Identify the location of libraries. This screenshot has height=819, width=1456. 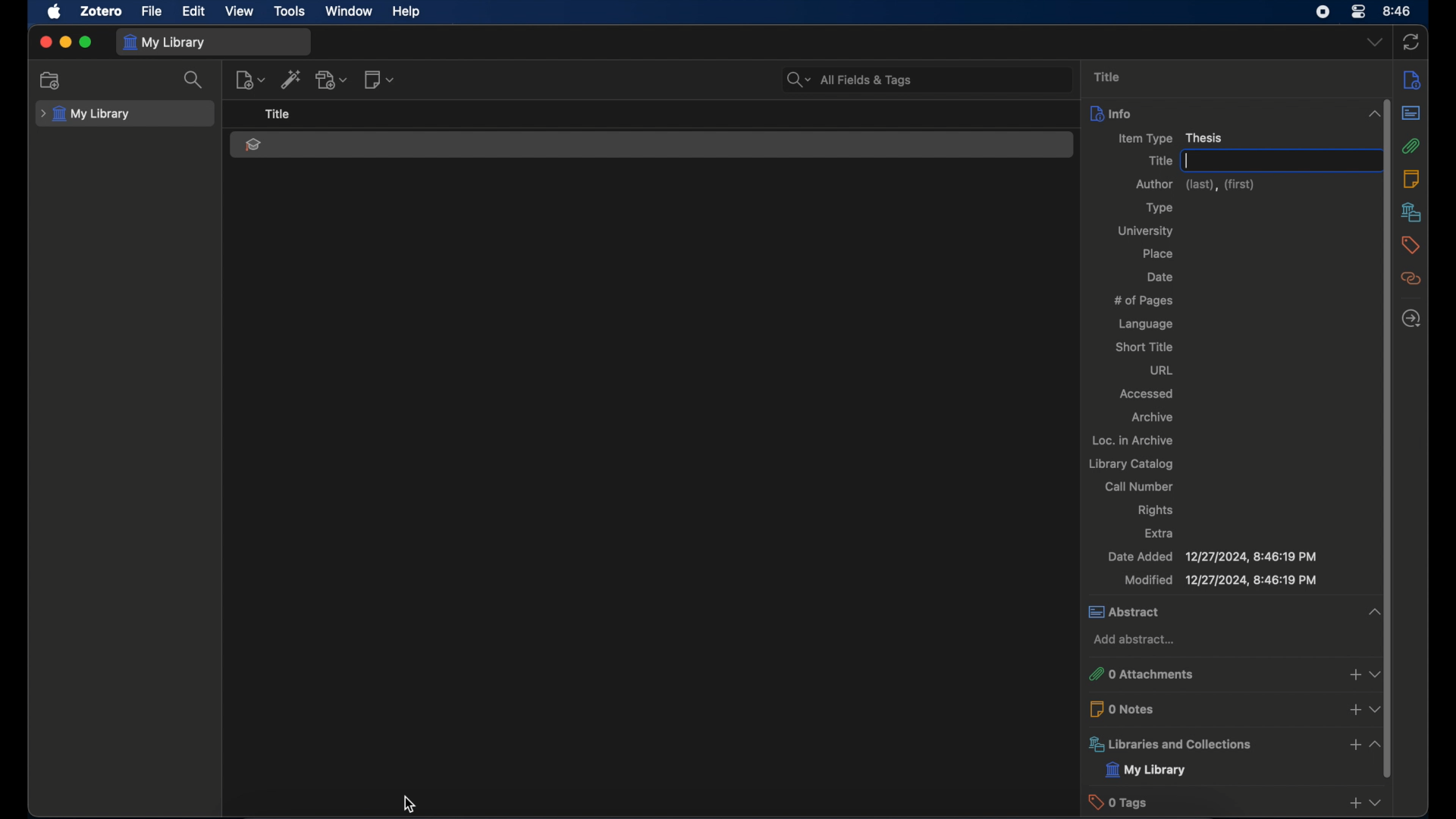
(1412, 212).